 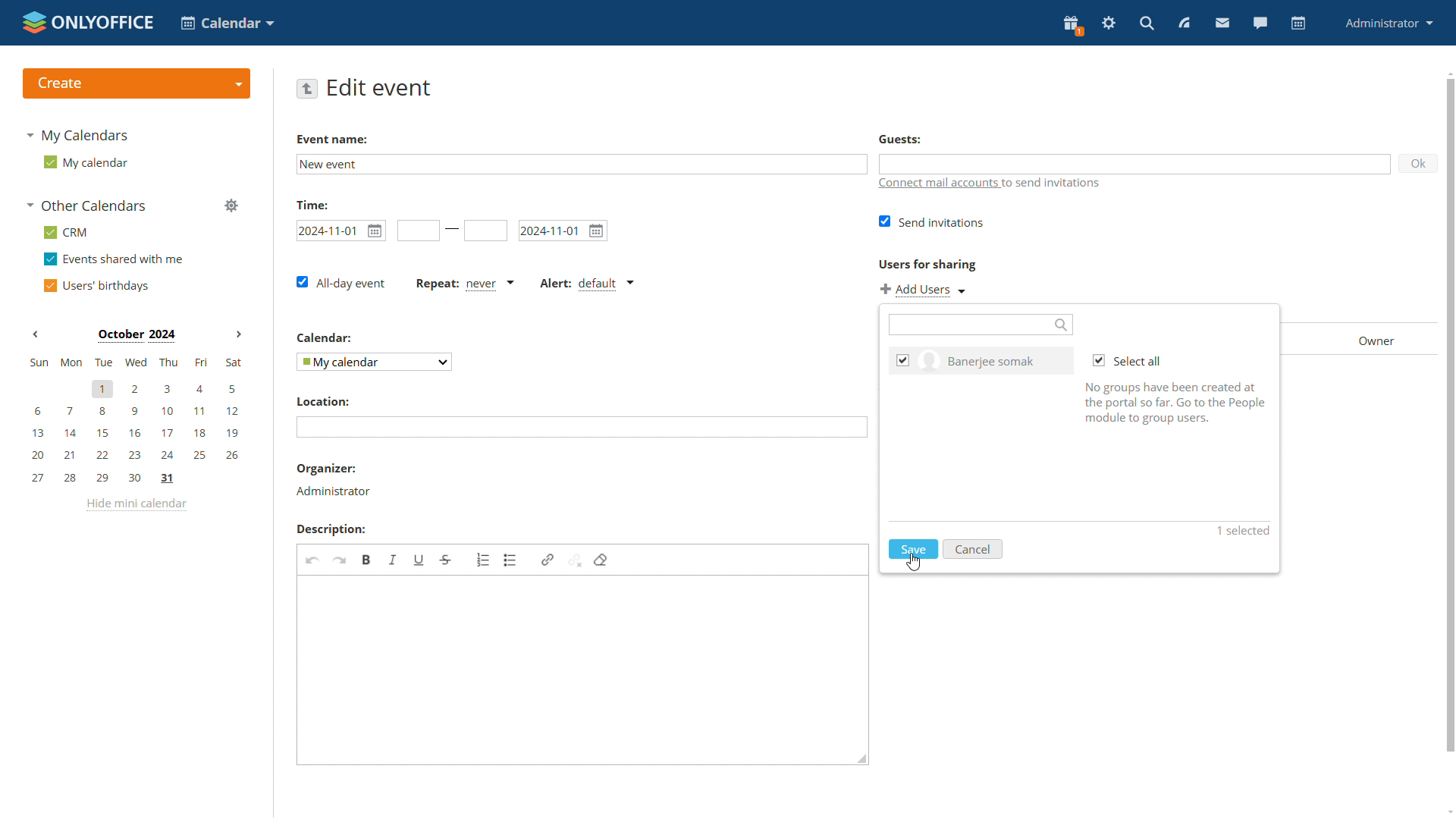 I want to click on search, so click(x=1146, y=24).